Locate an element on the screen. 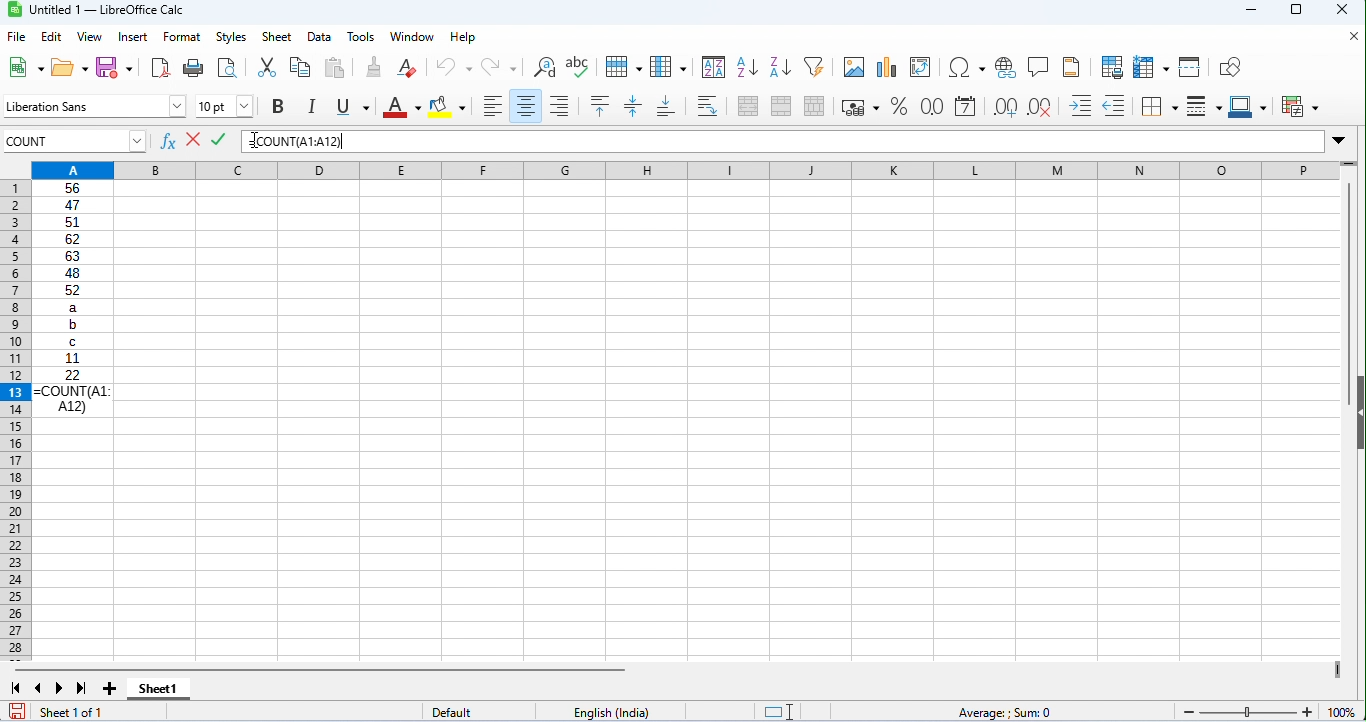  11 is located at coordinates (72, 358).